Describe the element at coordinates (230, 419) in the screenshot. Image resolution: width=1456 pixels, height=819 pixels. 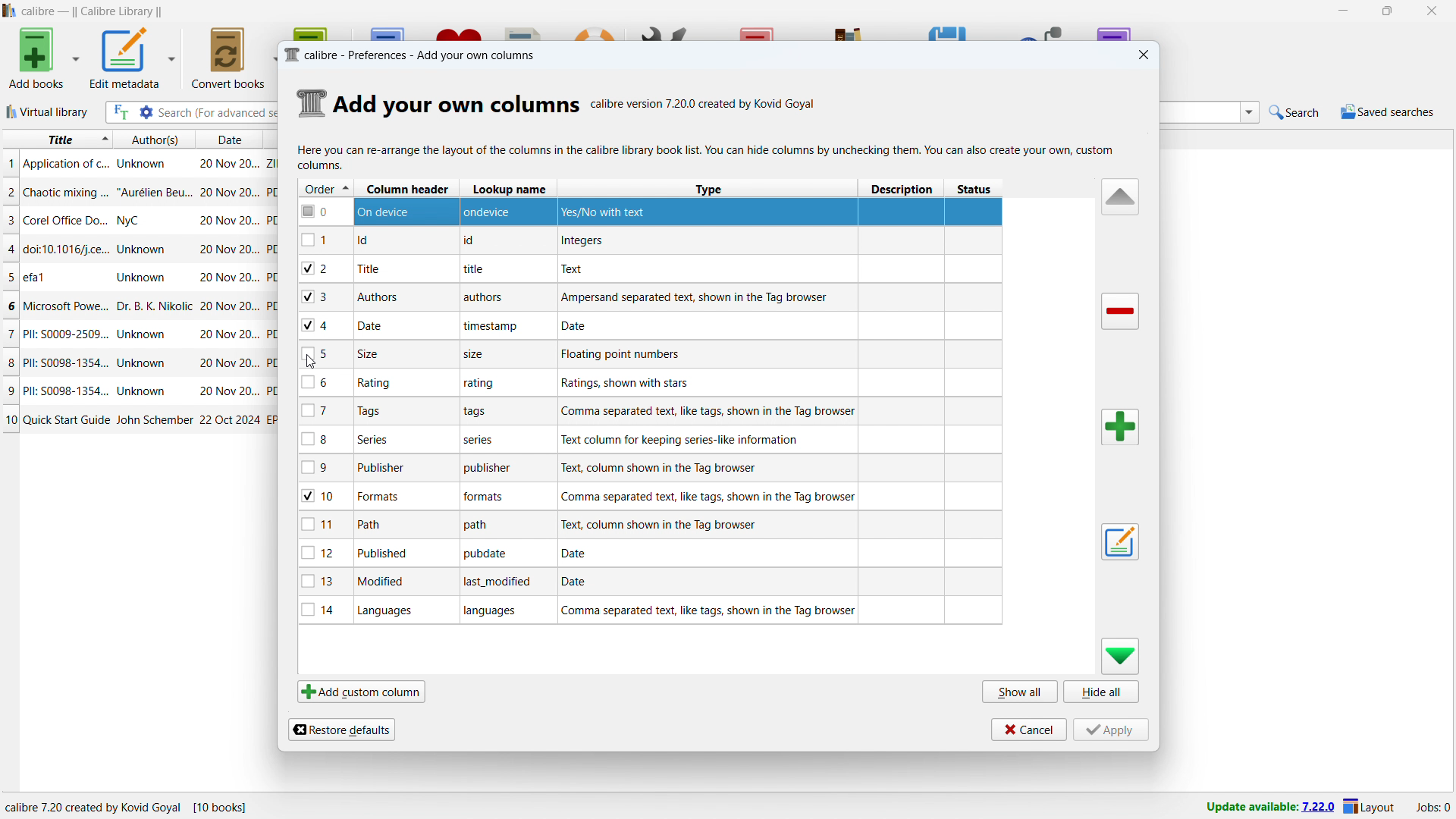
I see `date` at that location.